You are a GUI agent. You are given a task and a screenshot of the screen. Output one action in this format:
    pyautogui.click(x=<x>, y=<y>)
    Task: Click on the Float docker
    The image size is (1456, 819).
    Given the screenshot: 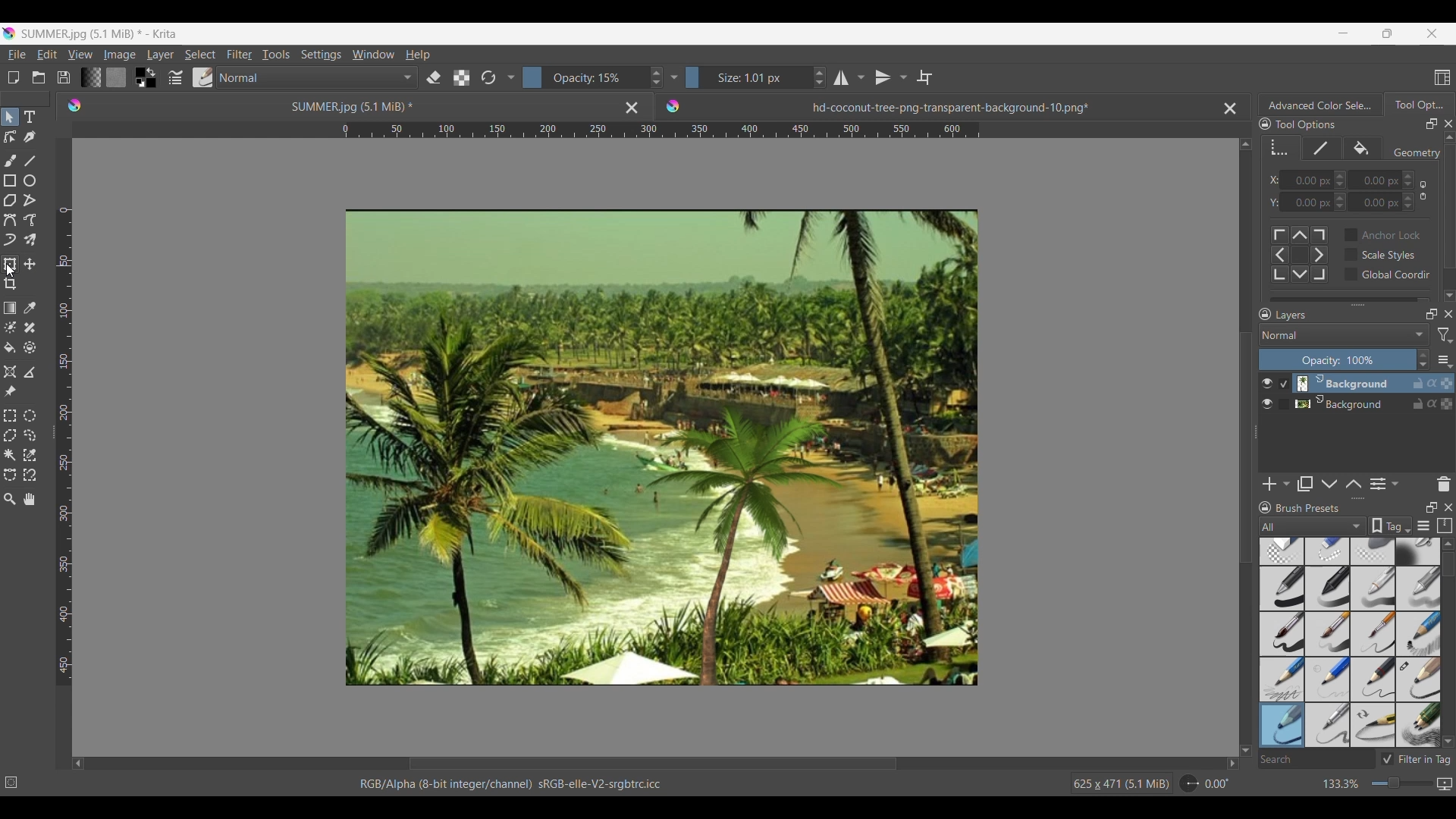 What is the action you would take?
    pyautogui.click(x=1432, y=124)
    